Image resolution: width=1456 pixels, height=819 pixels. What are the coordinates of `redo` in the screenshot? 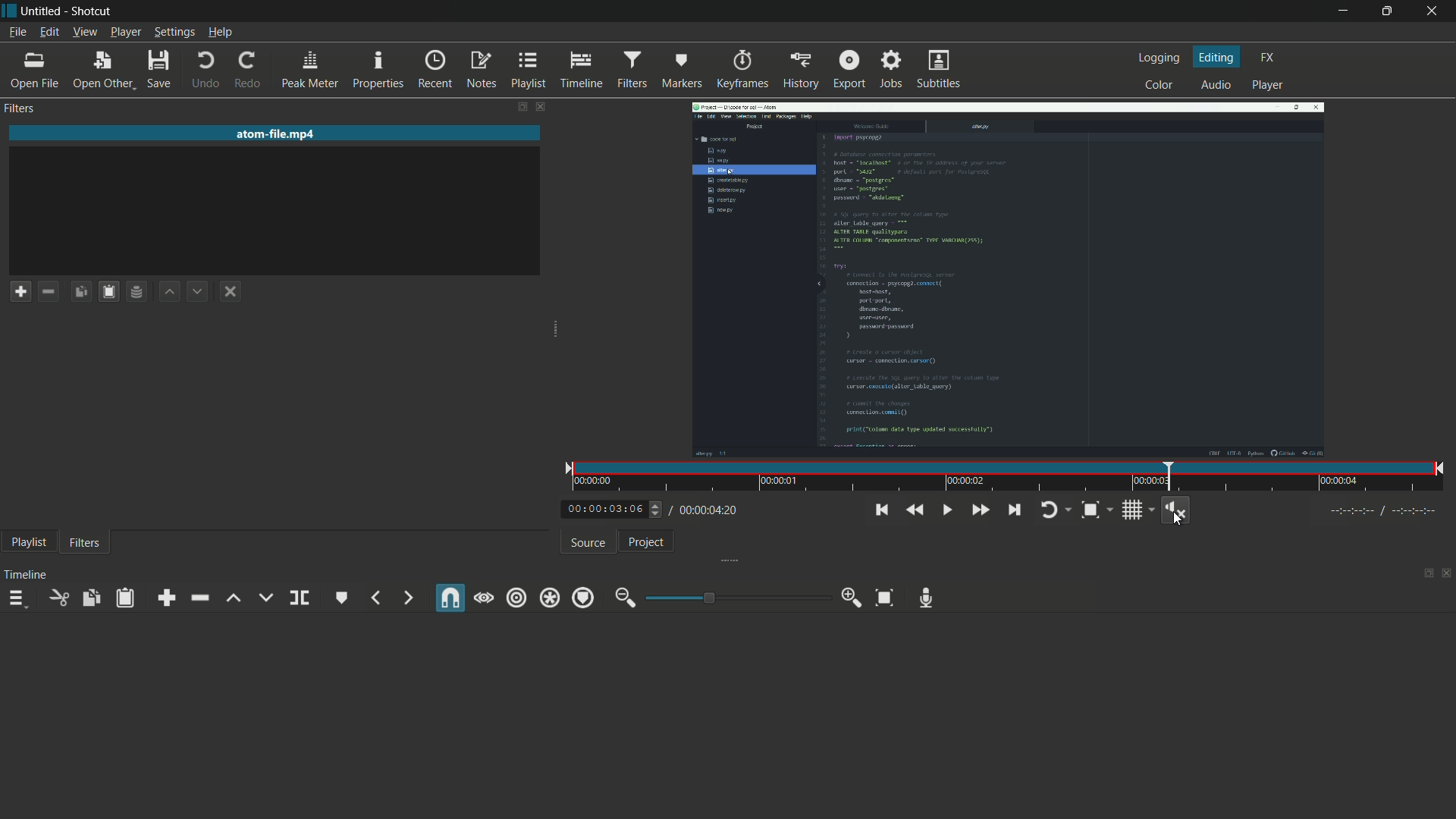 It's located at (245, 69).